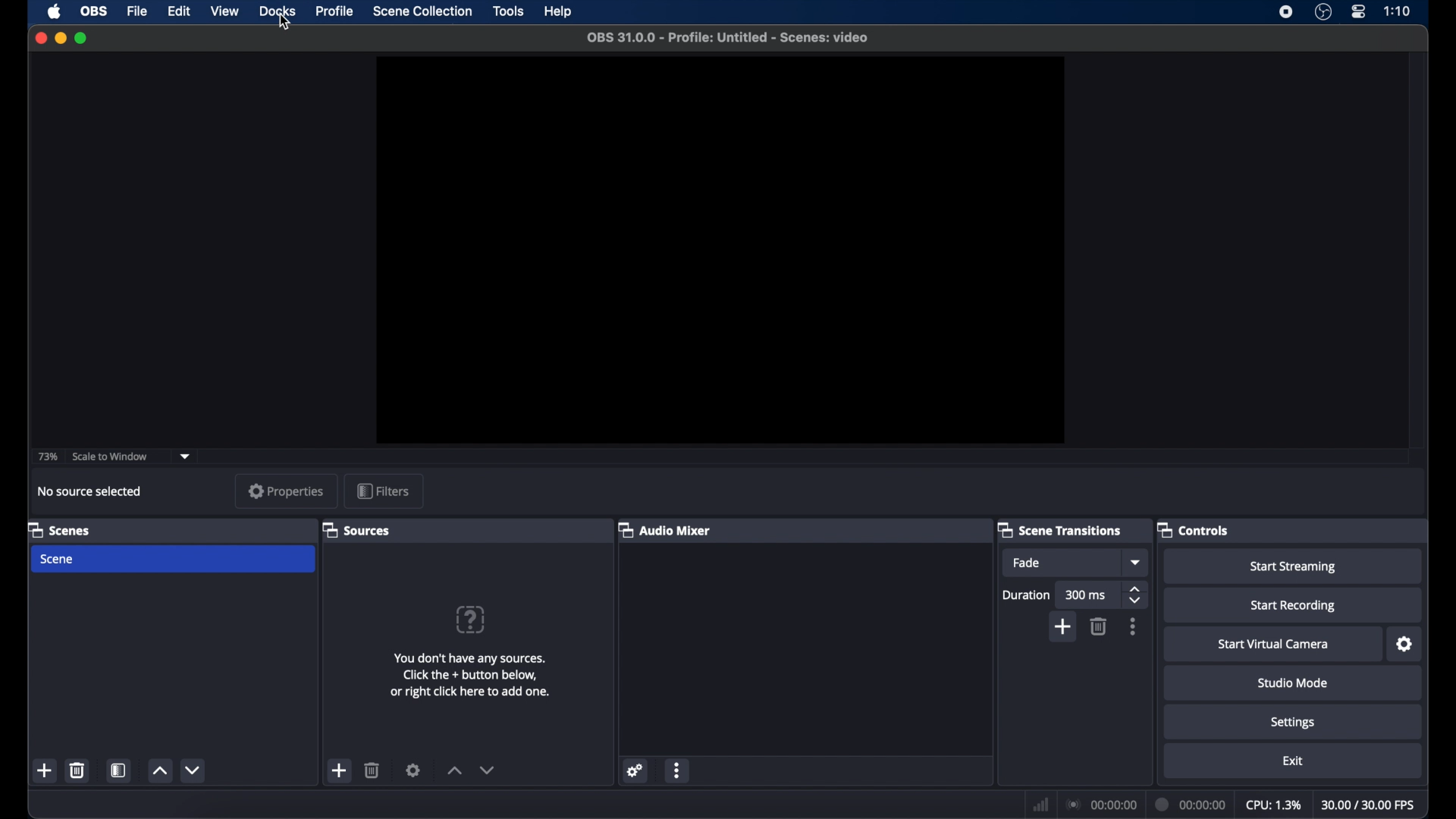  Describe the element at coordinates (454, 770) in the screenshot. I see `increment` at that location.